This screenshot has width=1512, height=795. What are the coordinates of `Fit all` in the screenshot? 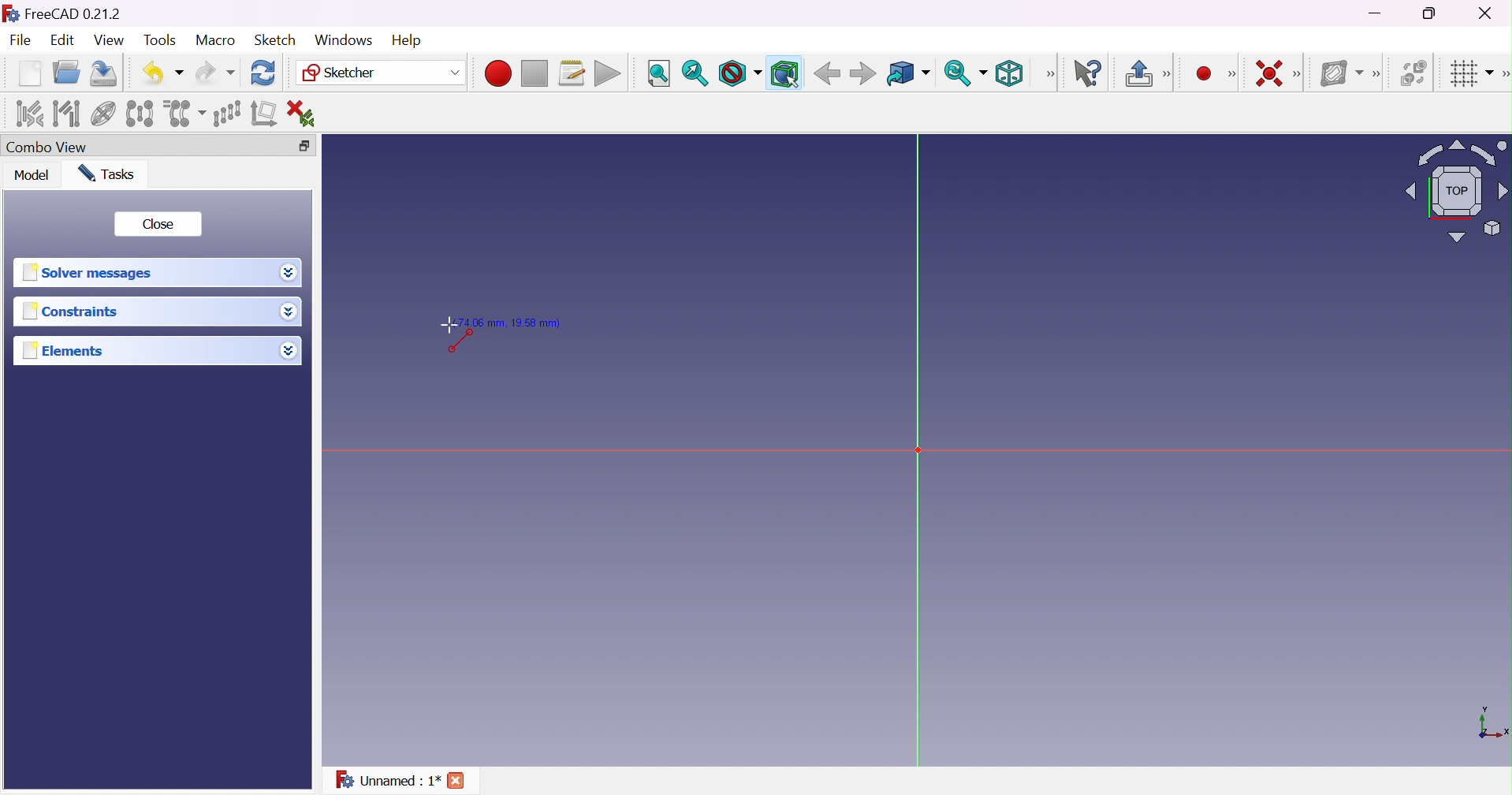 It's located at (657, 73).